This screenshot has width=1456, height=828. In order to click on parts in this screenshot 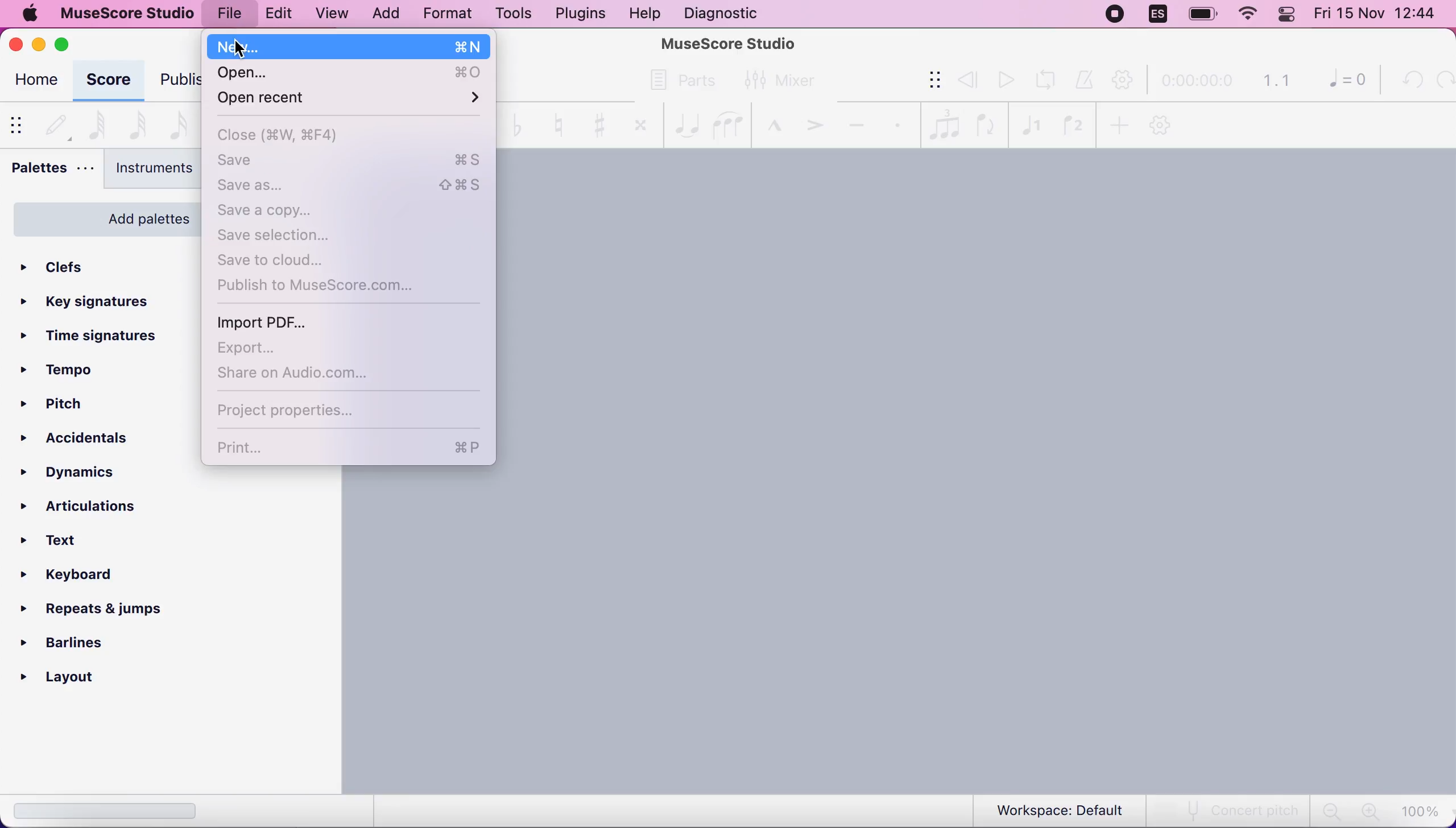, I will do `click(682, 78)`.